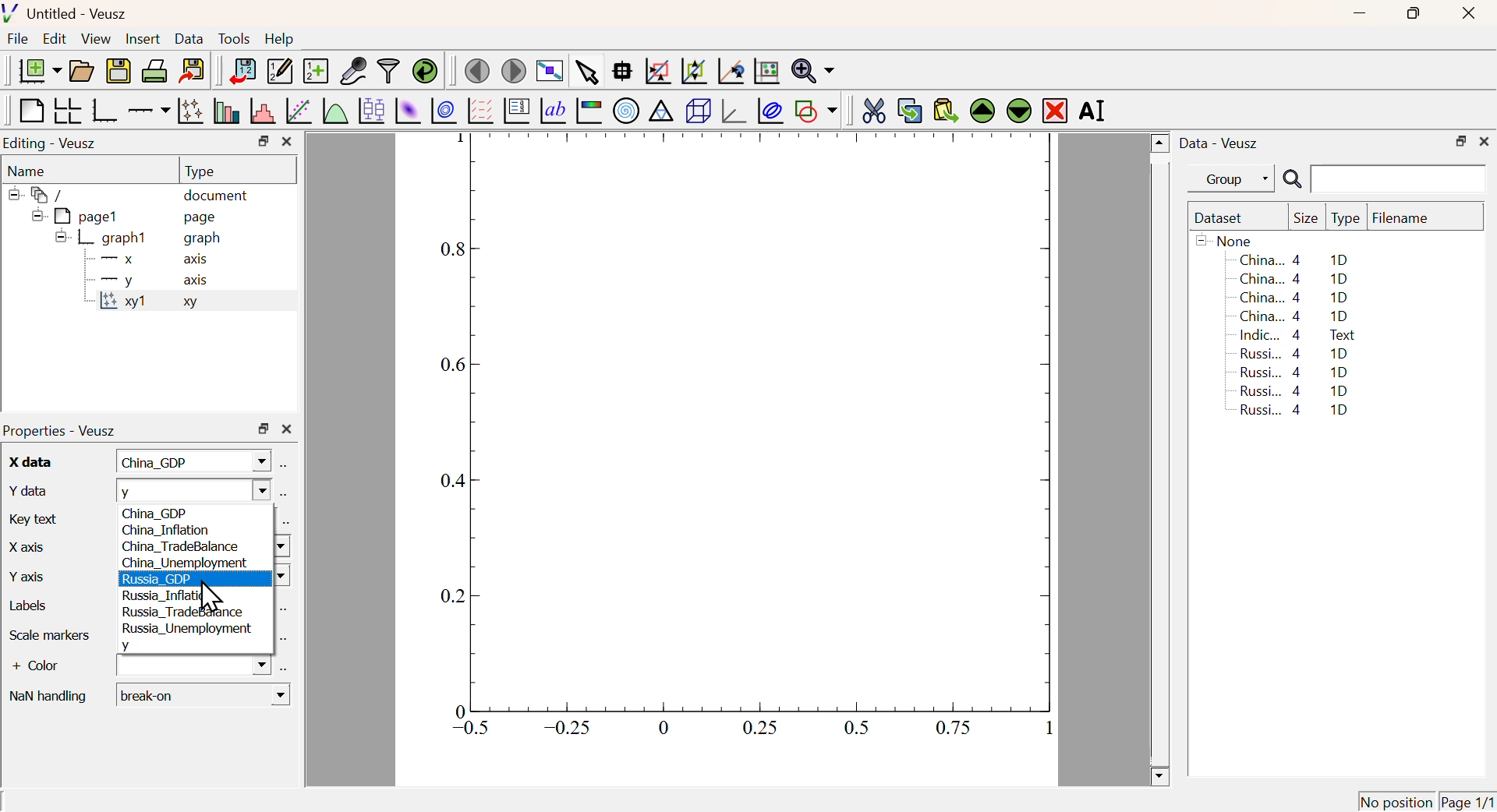 The height and width of the screenshot is (812, 1497). I want to click on Add a shape, so click(816, 110).